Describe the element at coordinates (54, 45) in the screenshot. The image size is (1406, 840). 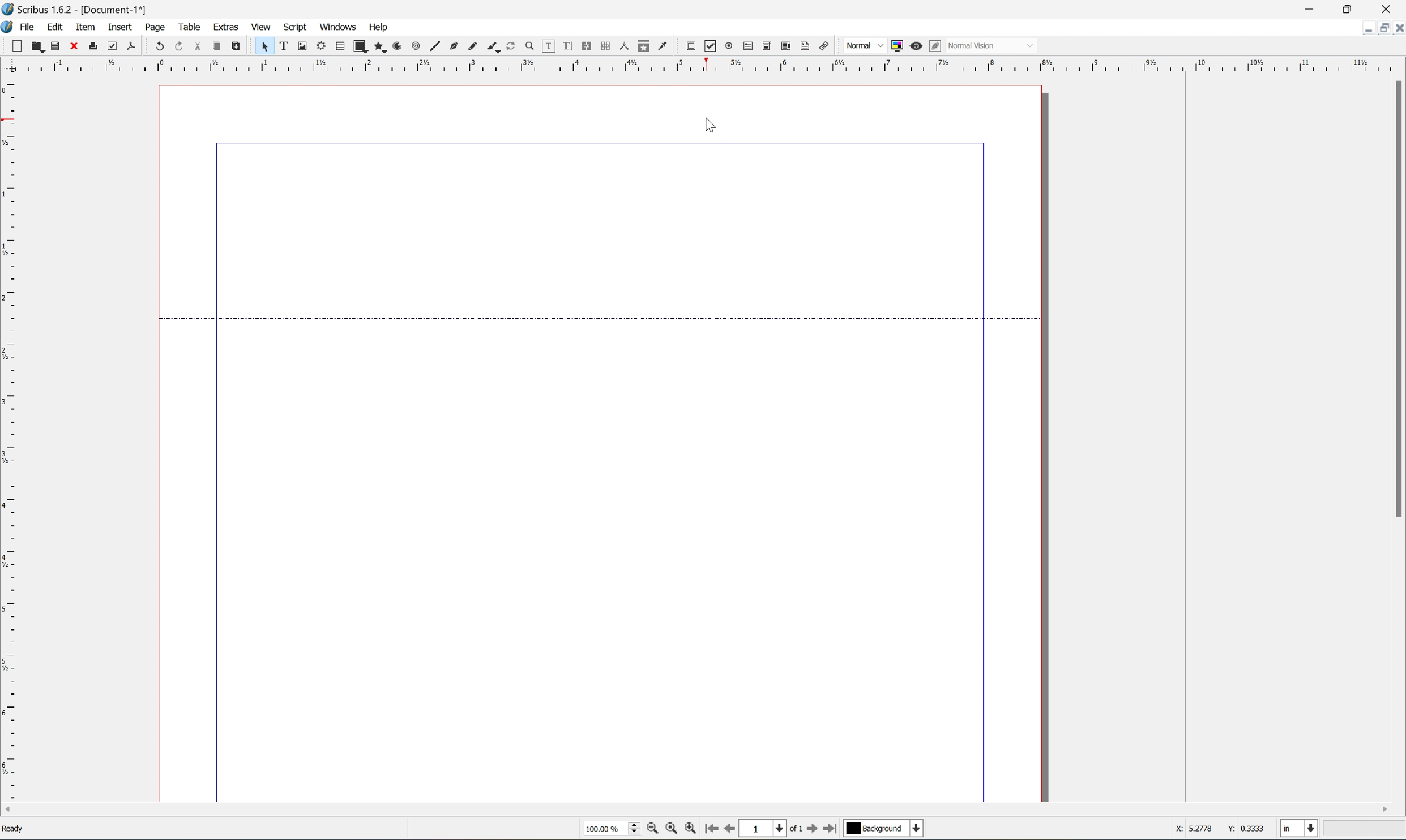
I see `save` at that location.